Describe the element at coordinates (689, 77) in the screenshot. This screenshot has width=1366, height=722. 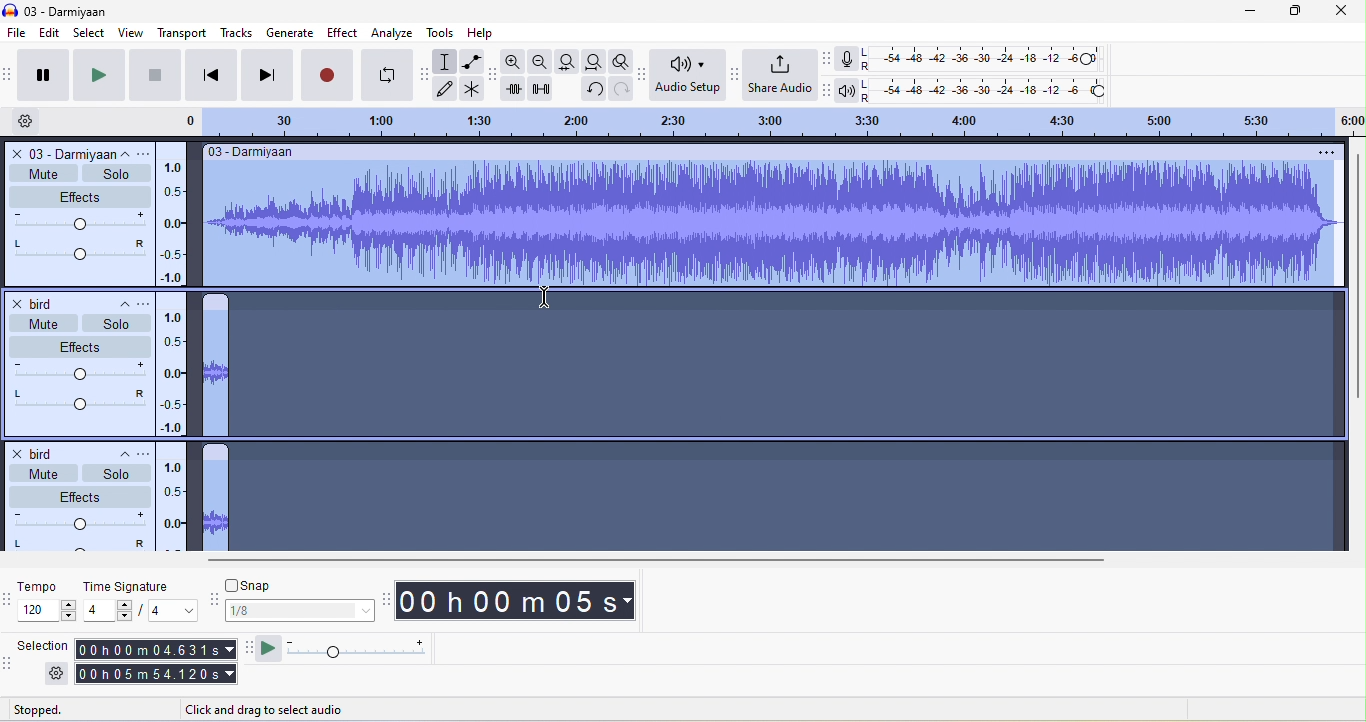
I see `audio setup` at that location.